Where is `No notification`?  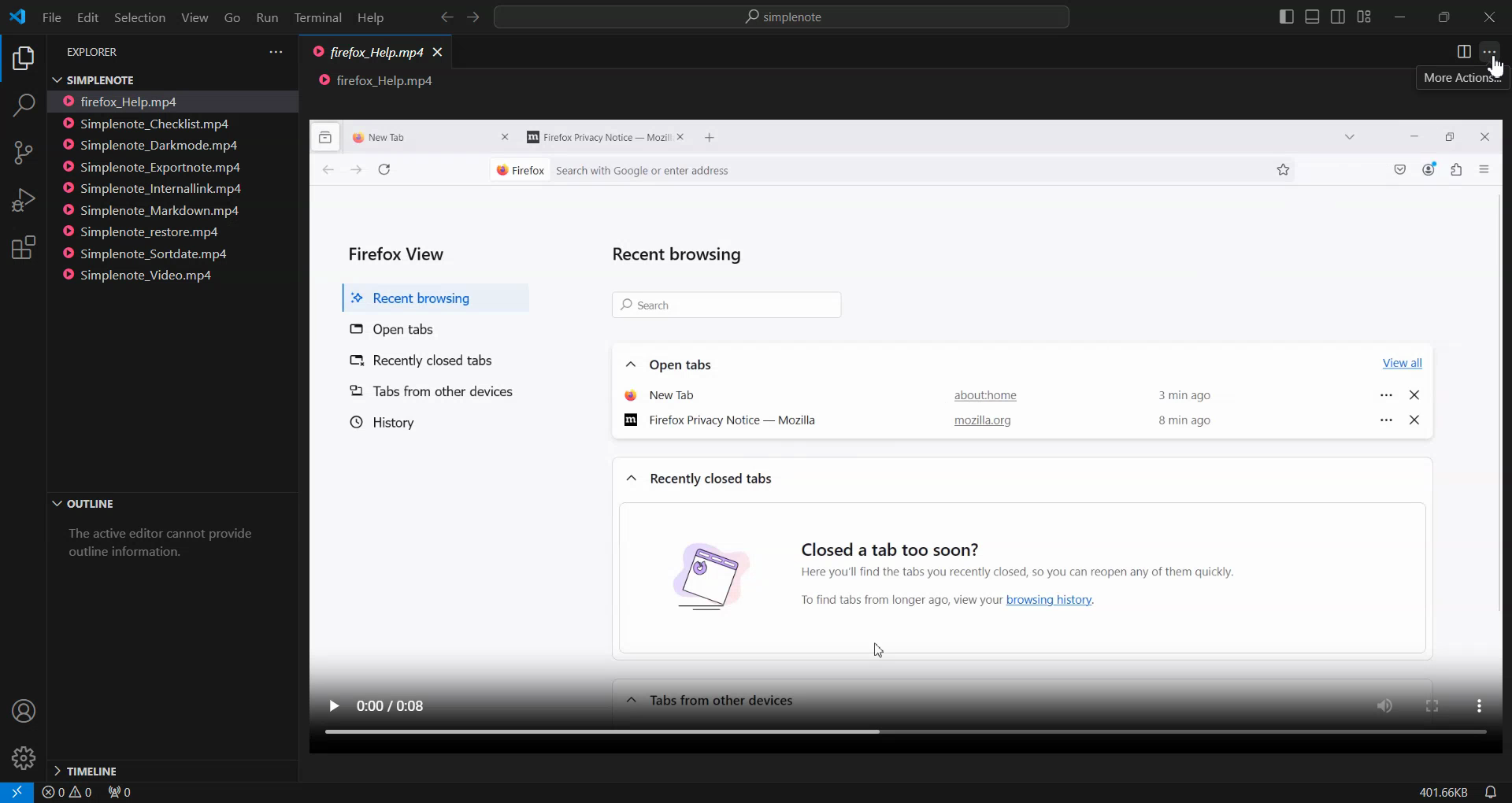 No notification is located at coordinates (1488, 792).